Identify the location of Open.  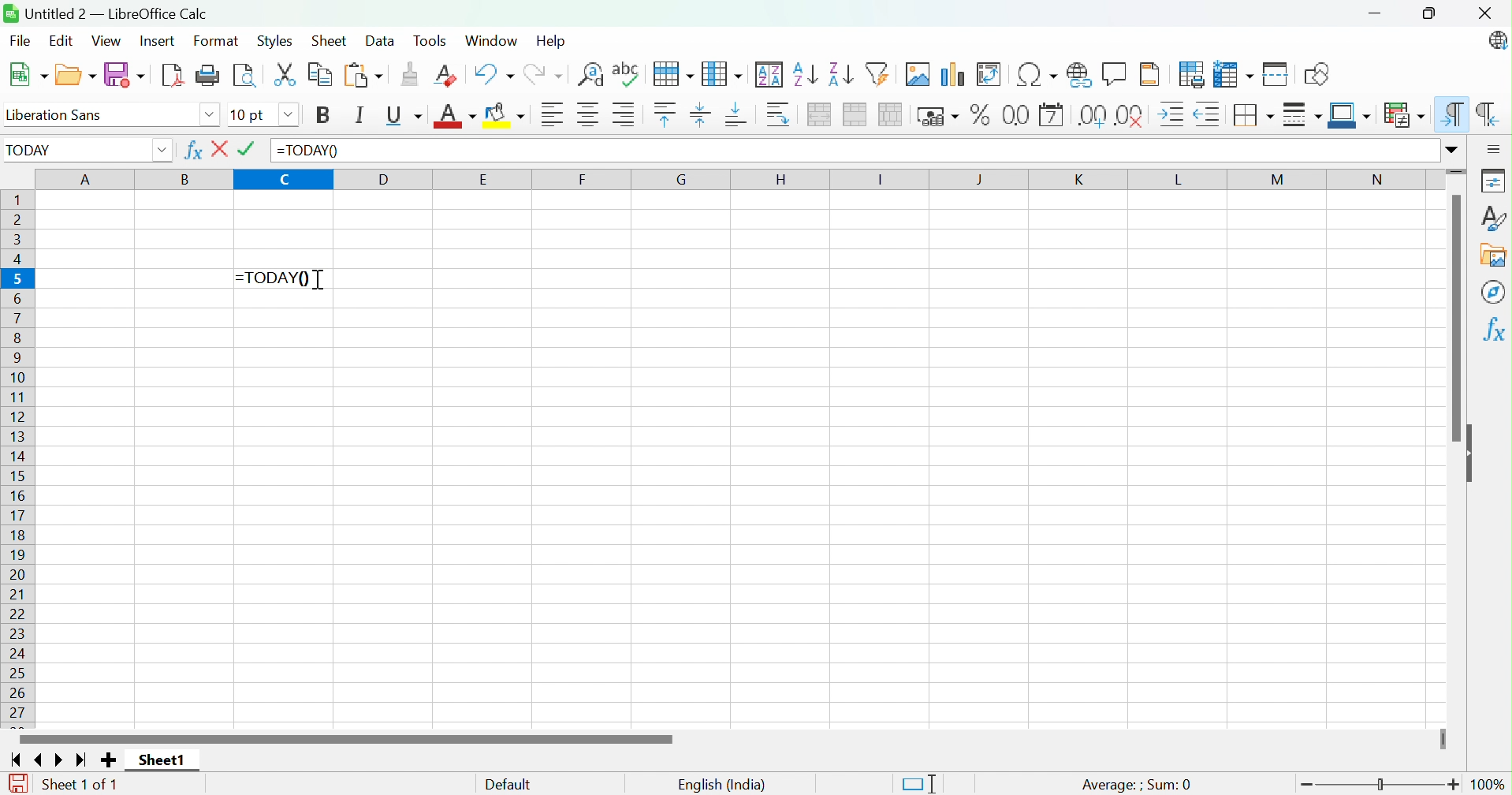
(76, 74).